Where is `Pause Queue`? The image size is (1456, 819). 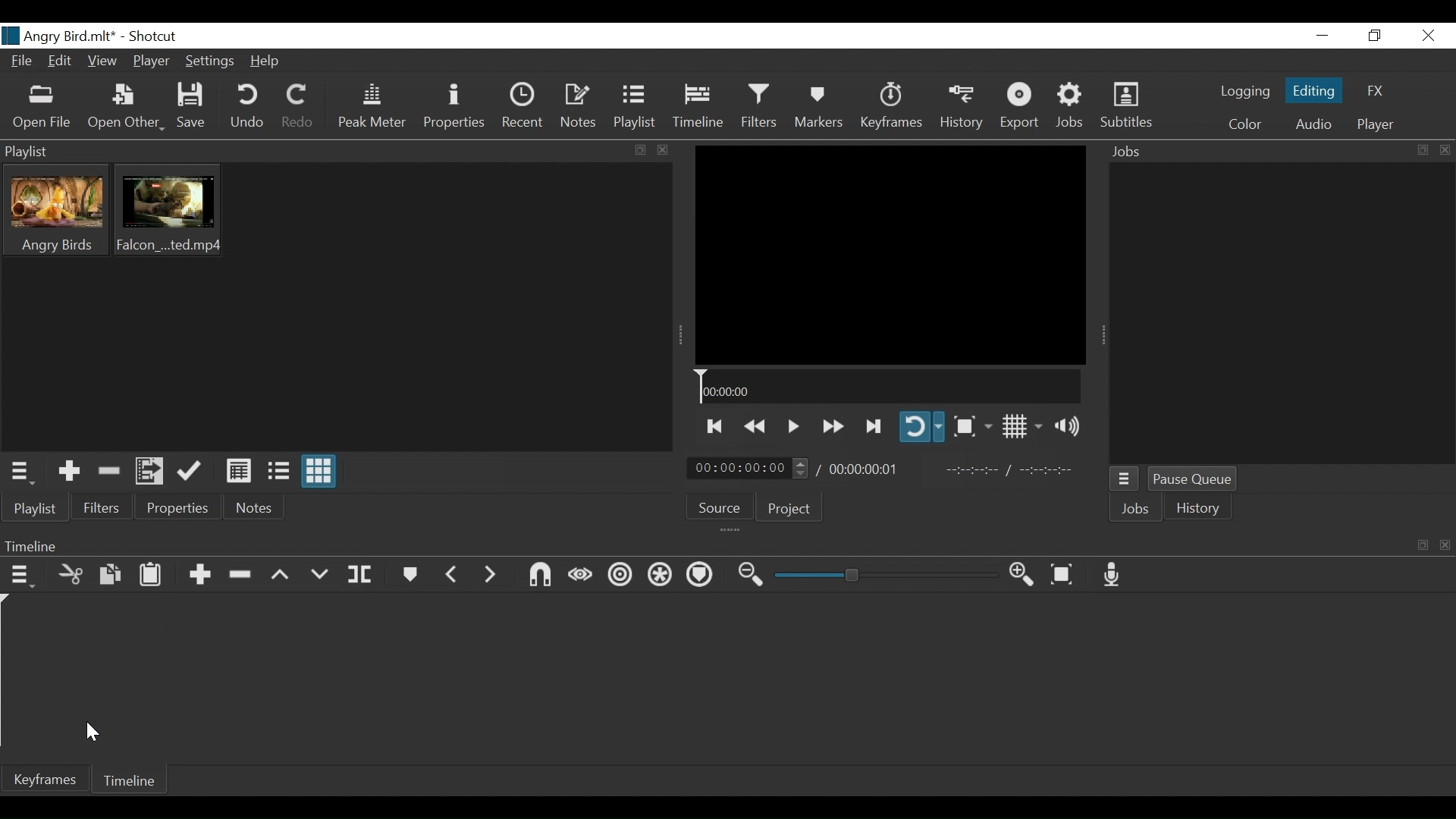 Pause Queue is located at coordinates (1193, 479).